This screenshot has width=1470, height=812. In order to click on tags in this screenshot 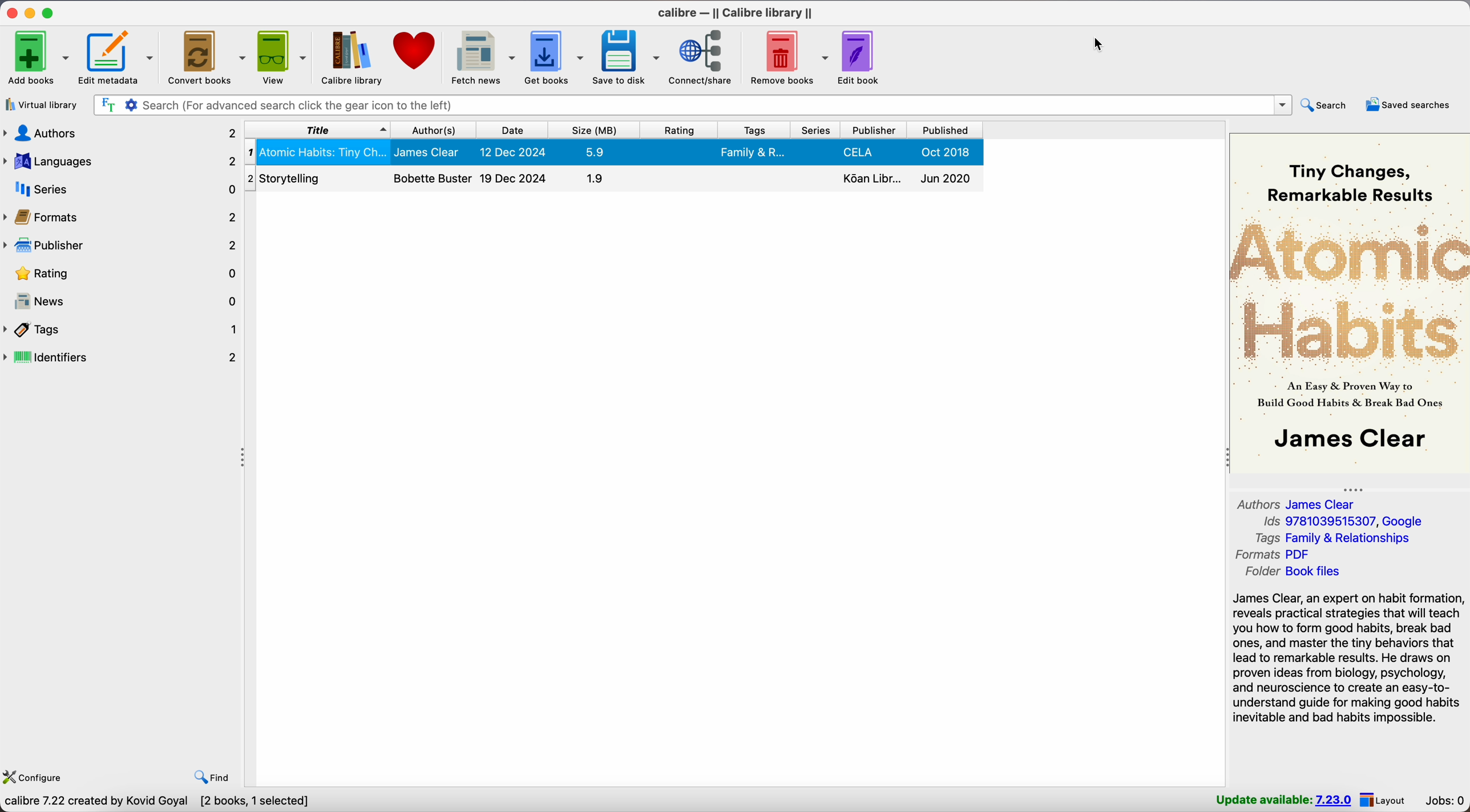, I will do `click(753, 130)`.